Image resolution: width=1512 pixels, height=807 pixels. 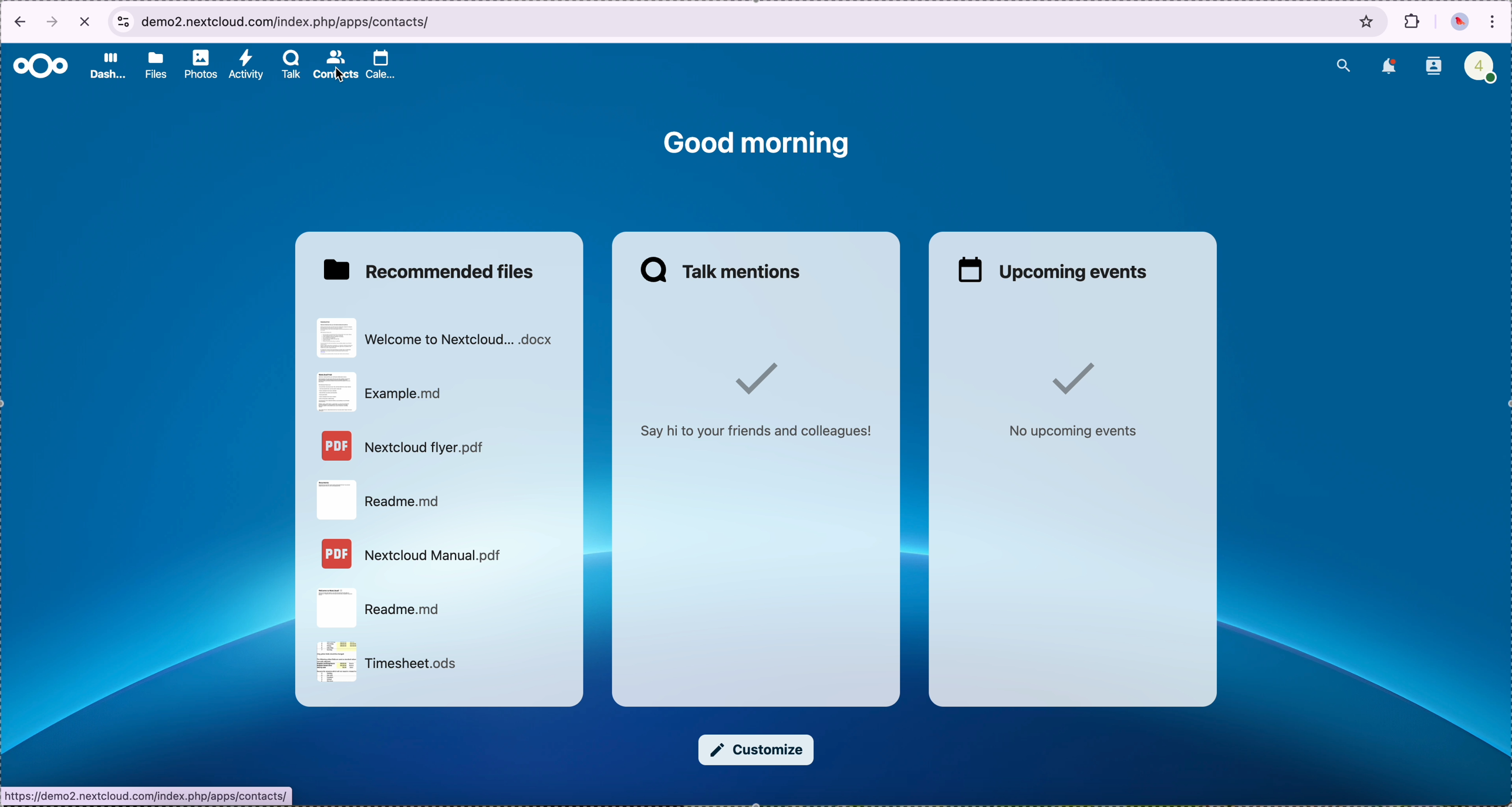 I want to click on customize and control Google Chrome, so click(x=1494, y=21).